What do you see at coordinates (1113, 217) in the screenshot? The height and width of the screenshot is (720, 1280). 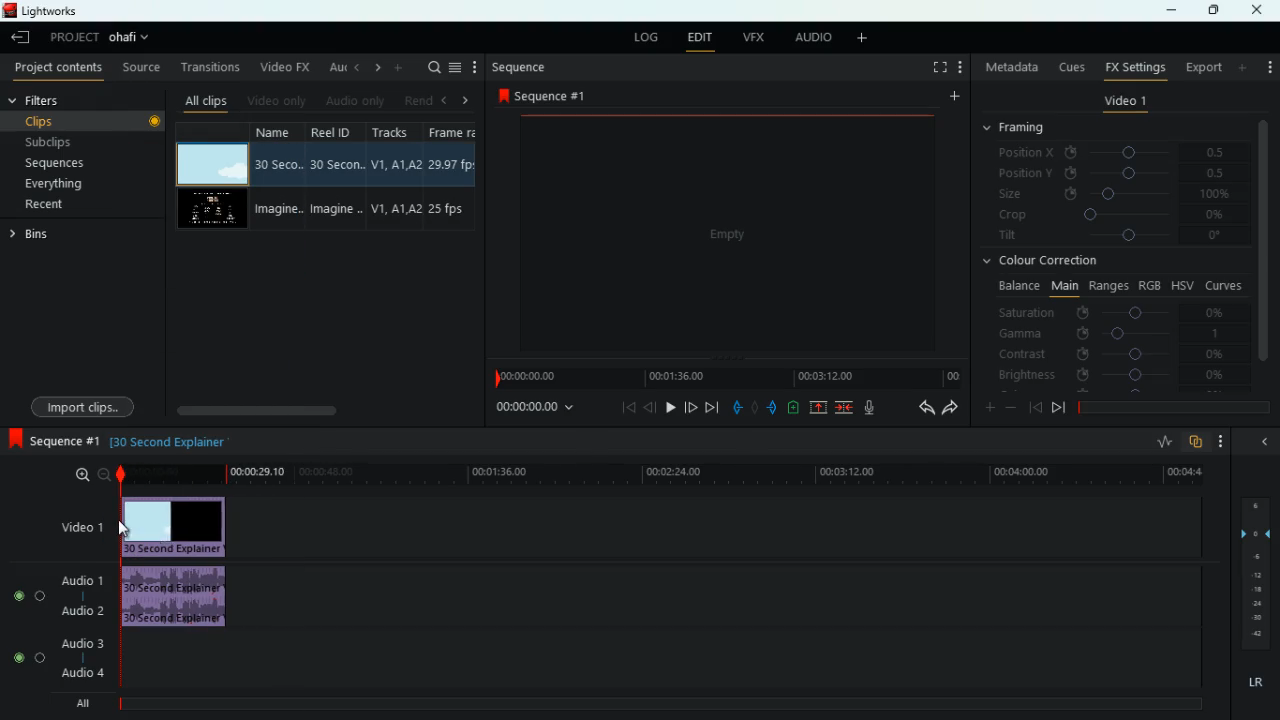 I see `crop` at bounding box center [1113, 217].